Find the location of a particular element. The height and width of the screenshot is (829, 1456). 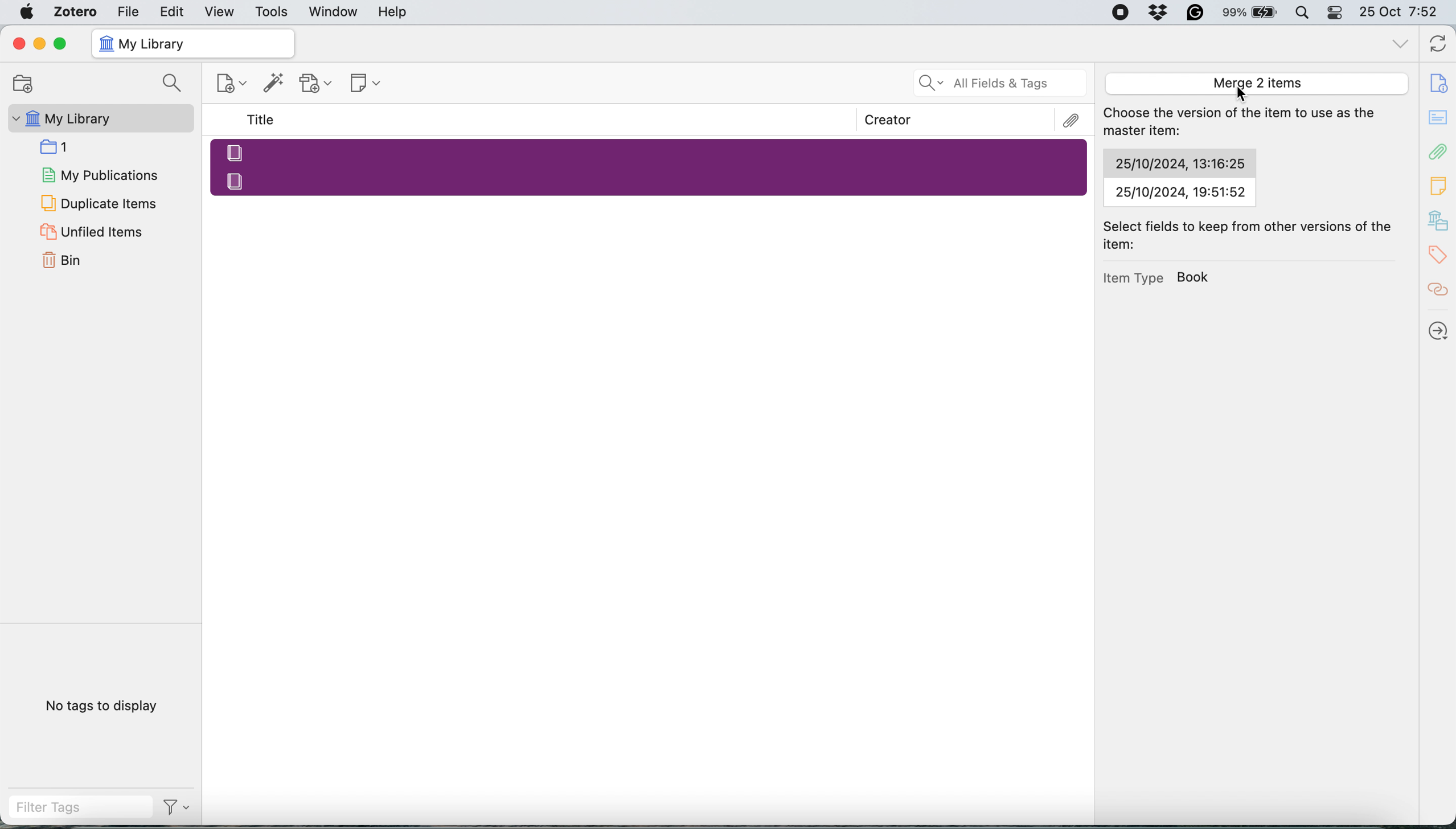

New Item is located at coordinates (233, 85).